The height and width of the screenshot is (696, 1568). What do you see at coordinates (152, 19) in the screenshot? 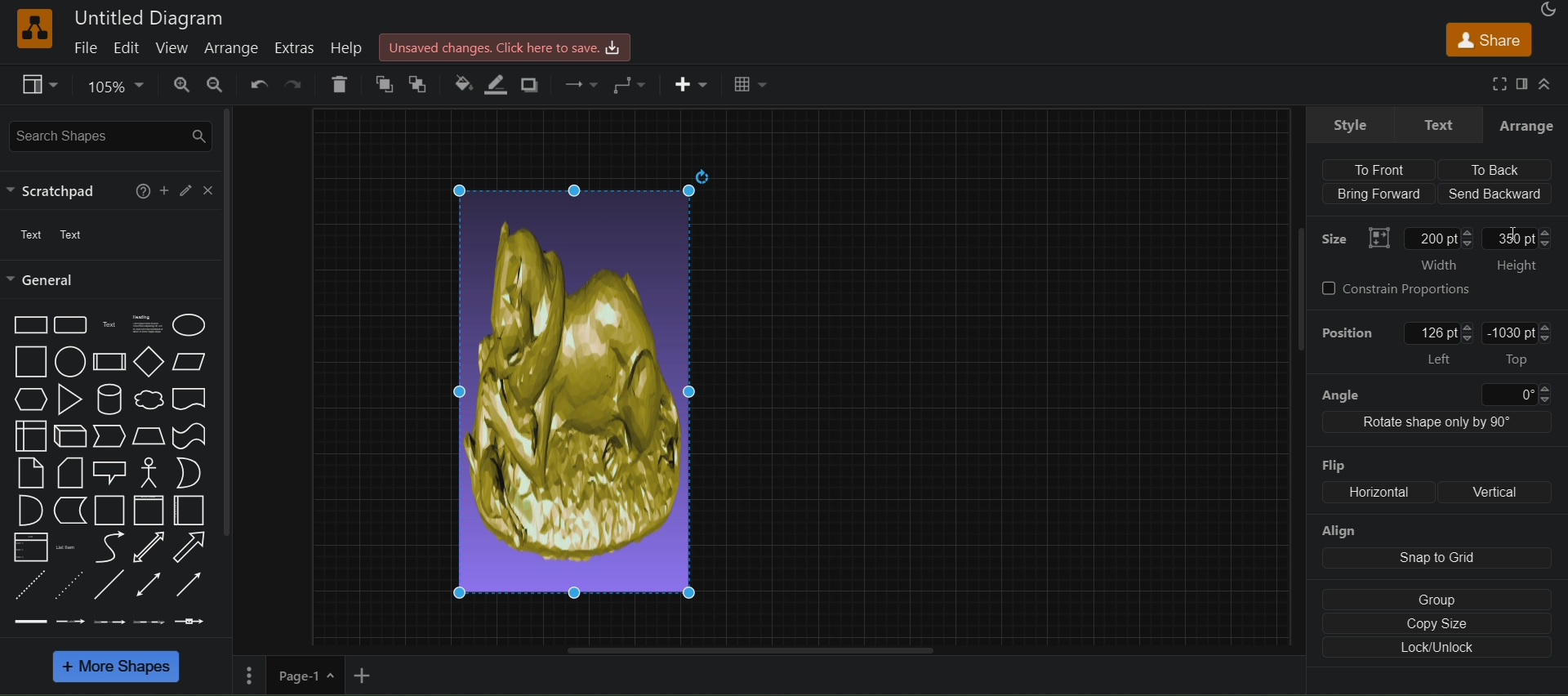
I see `Untitled Diagram` at bounding box center [152, 19].